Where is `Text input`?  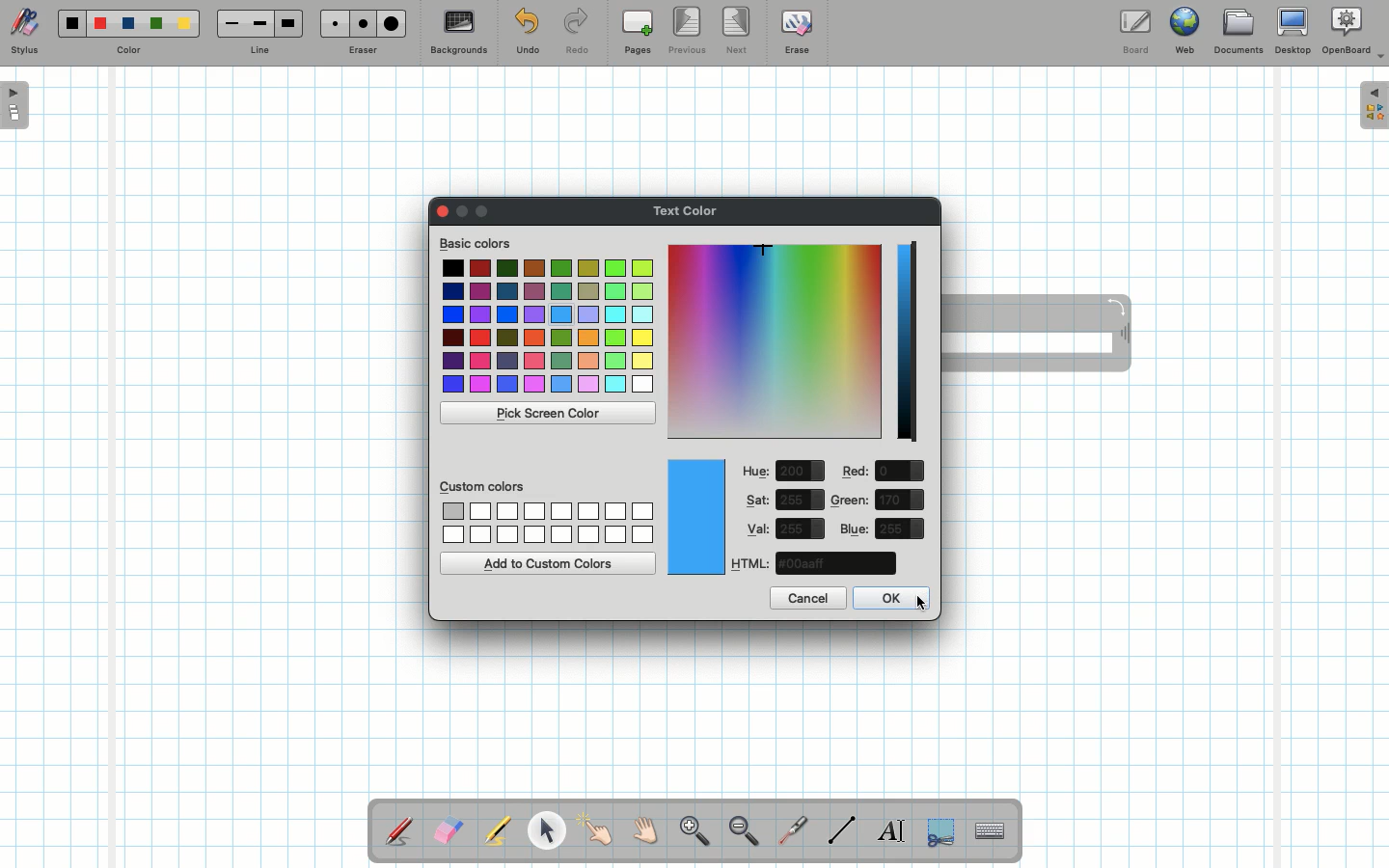 Text input is located at coordinates (991, 826).